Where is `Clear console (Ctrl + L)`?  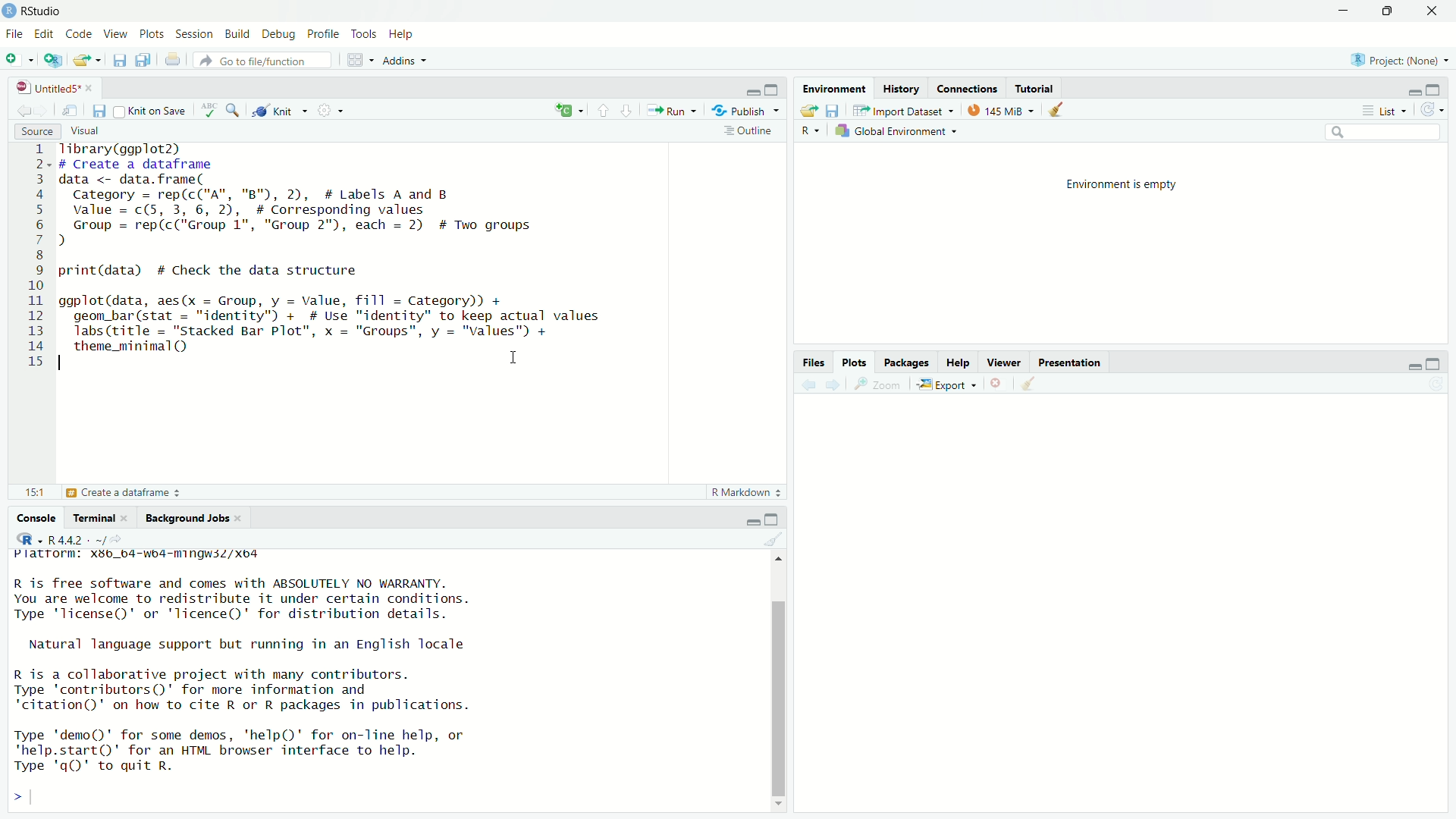 Clear console (Ctrl + L) is located at coordinates (1029, 385).